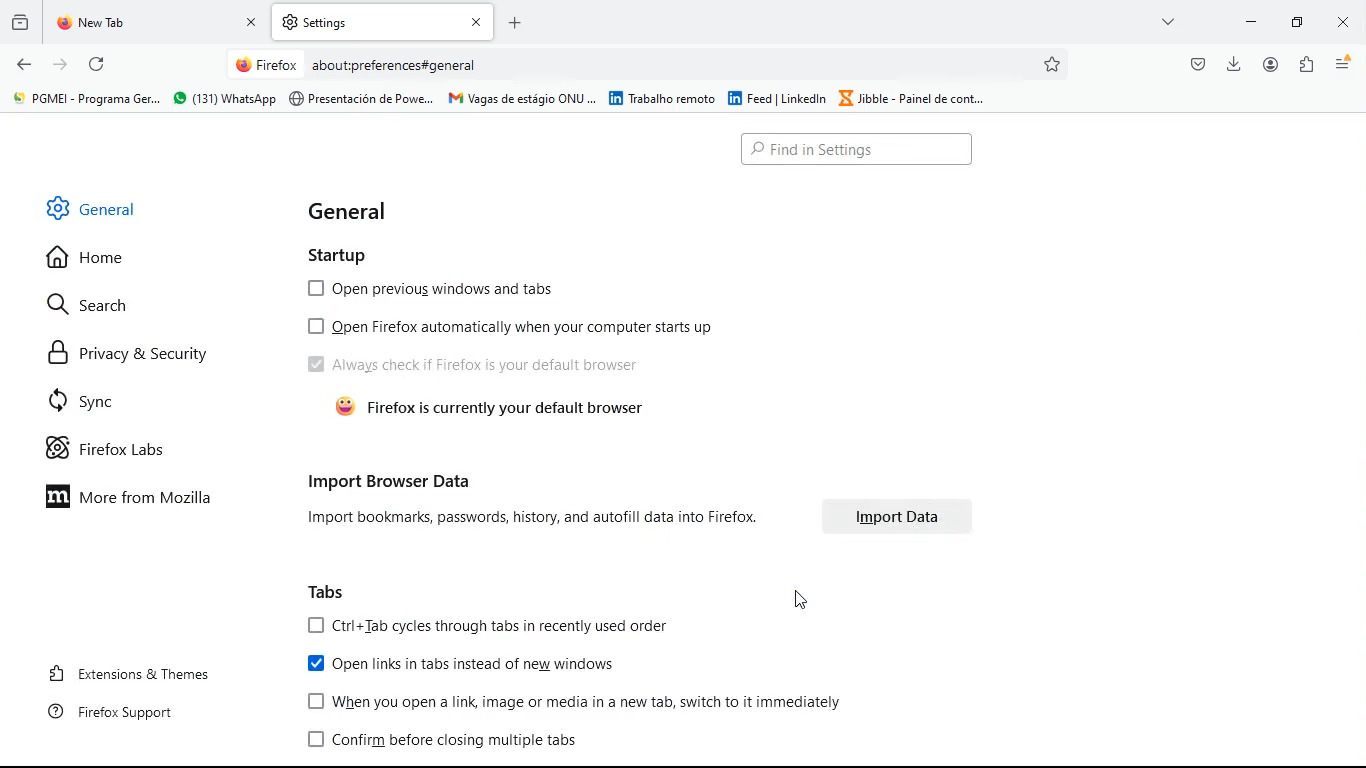 The height and width of the screenshot is (768, 1366). Describe the element at coordinates (801, 600) in the screenshot. I see `Cursor` at that location.